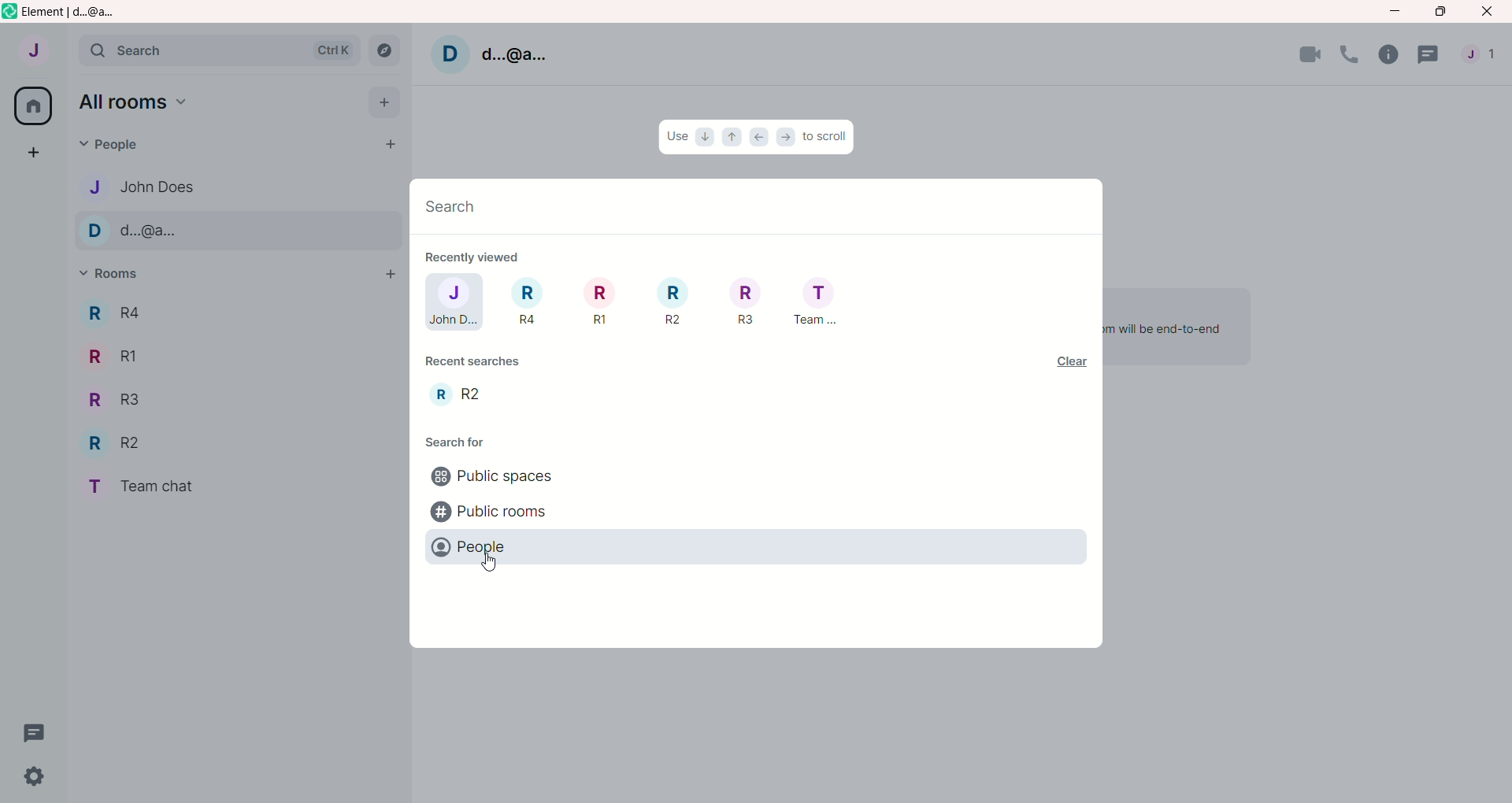  What do you see at coordinates (499, 545) in the screenshot?
I see `people` at bounding box center [499, 545].